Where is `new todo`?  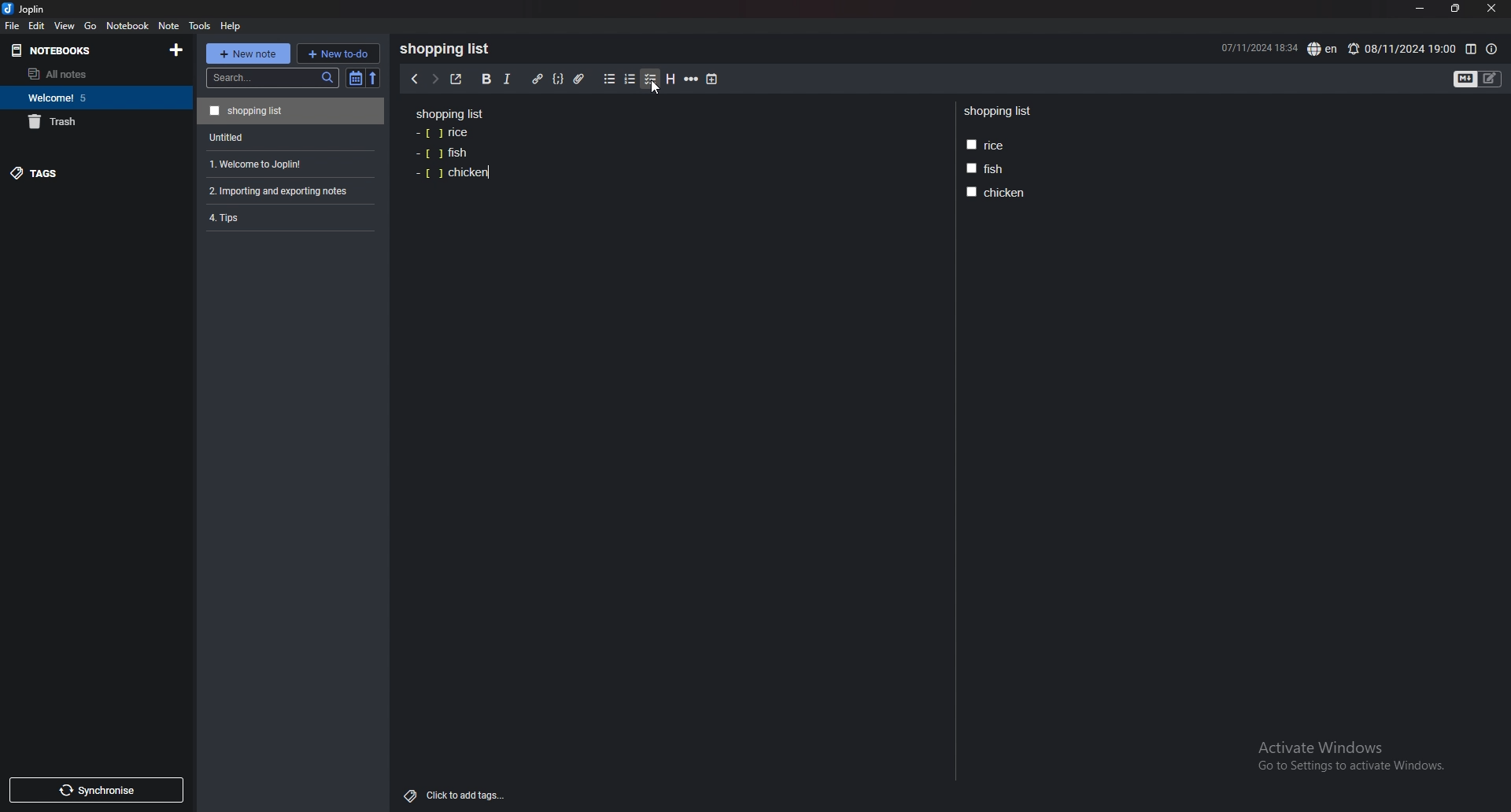
new todo is located at coordinates (338, 53).